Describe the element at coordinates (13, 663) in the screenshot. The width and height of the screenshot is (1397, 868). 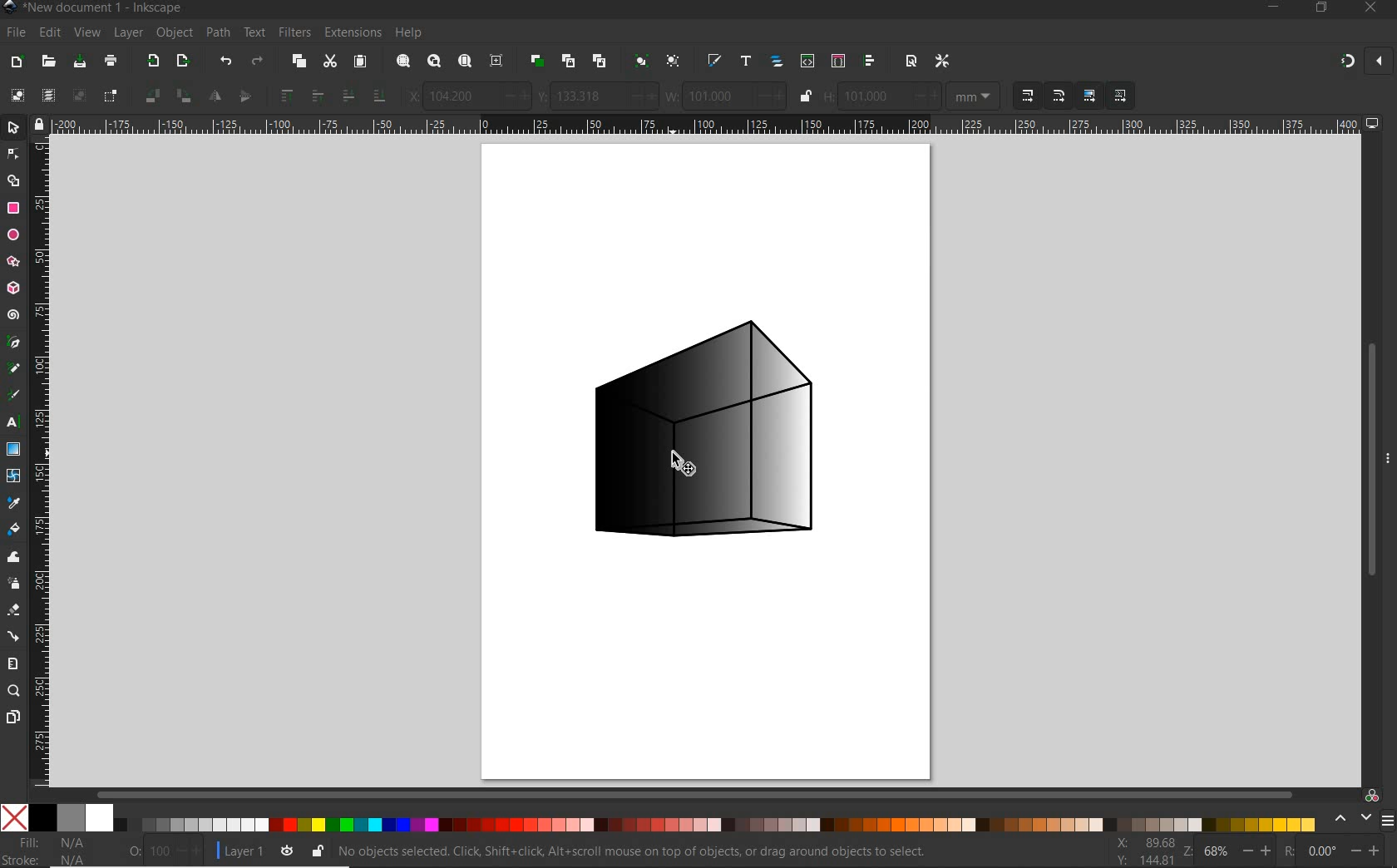
I see `MEASURE TOOL` at that location.